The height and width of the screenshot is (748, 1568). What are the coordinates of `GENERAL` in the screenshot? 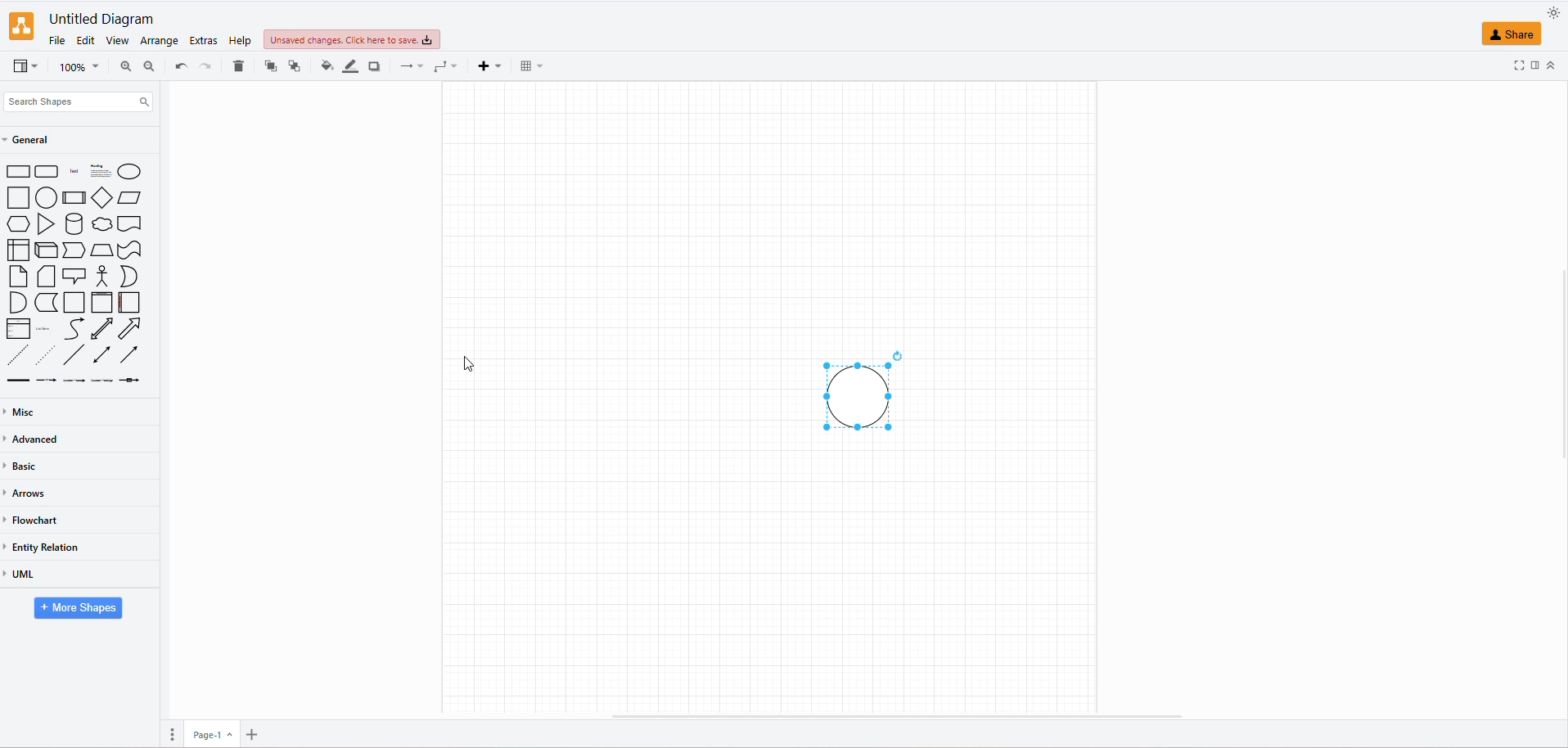 It's located at (31, 140).